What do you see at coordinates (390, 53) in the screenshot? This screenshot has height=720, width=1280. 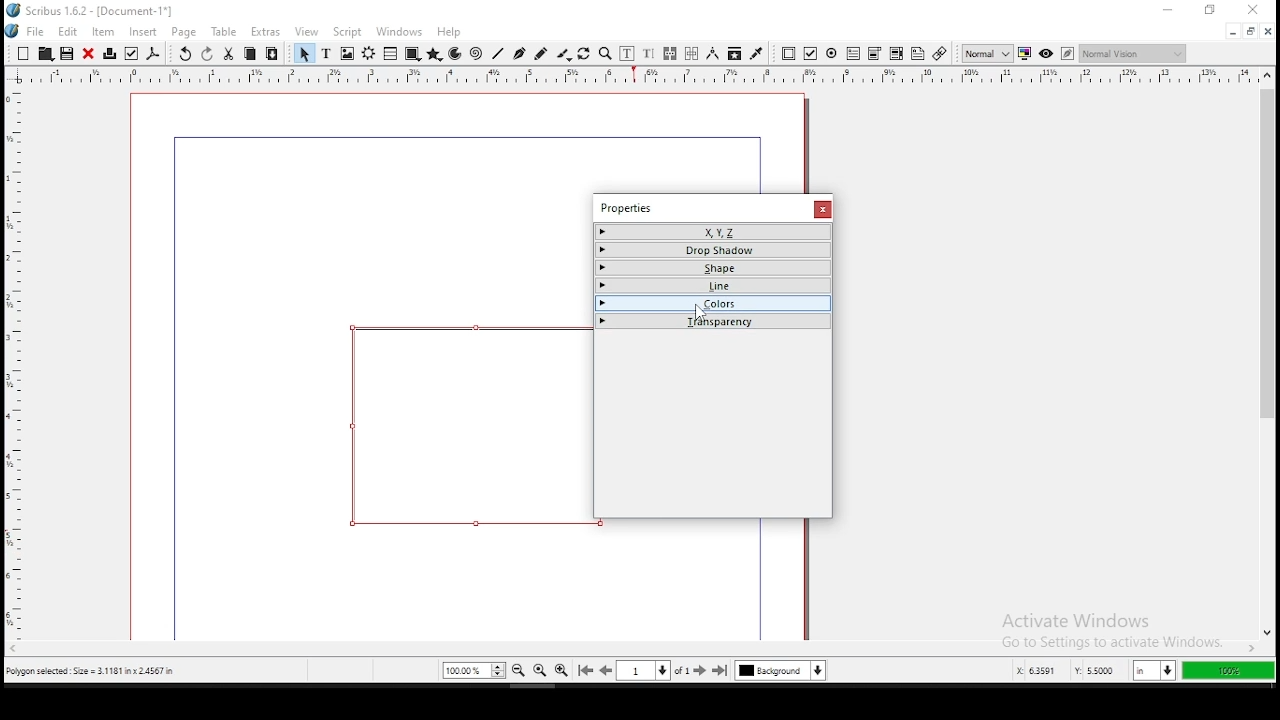 I see `table` at bounding box center [390, 53].